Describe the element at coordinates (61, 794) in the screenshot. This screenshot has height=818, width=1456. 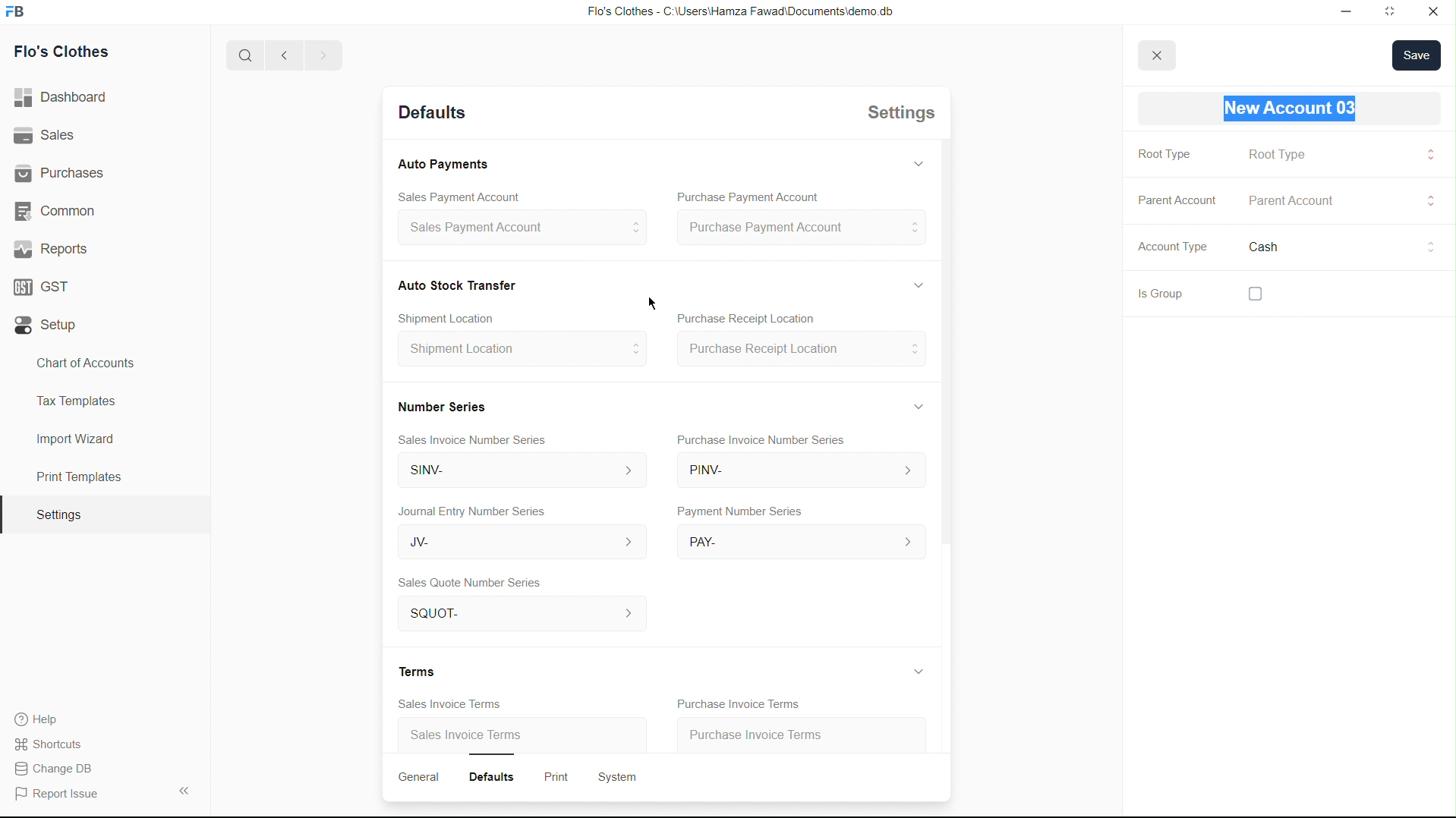
I see `Report Issue` at that location.